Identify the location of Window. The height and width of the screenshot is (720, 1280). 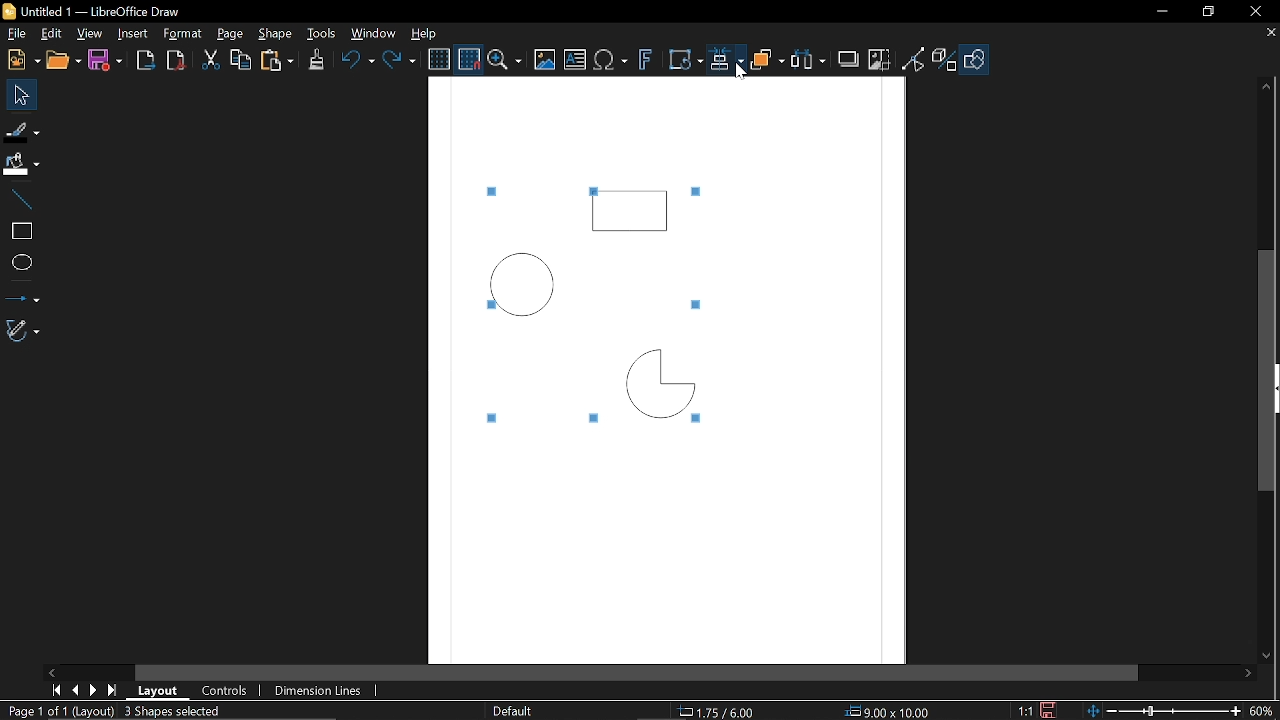
(371, 34).